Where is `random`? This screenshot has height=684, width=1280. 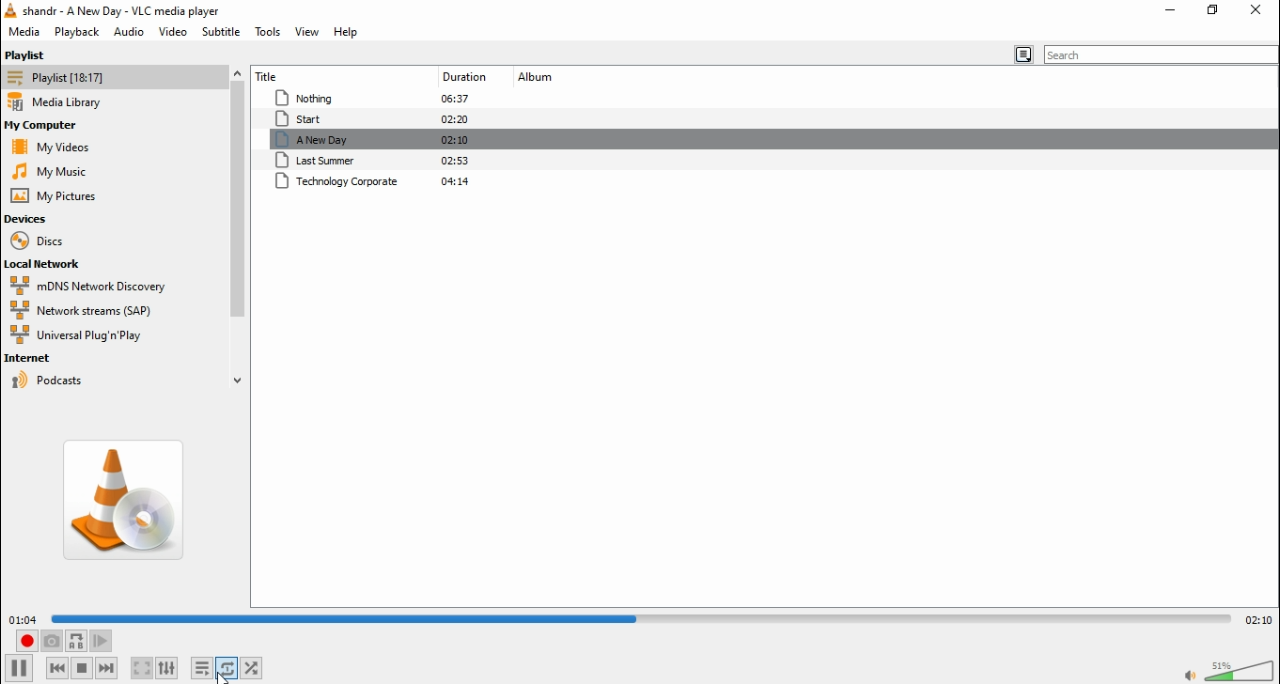
random is located at coordinates (253, 668).